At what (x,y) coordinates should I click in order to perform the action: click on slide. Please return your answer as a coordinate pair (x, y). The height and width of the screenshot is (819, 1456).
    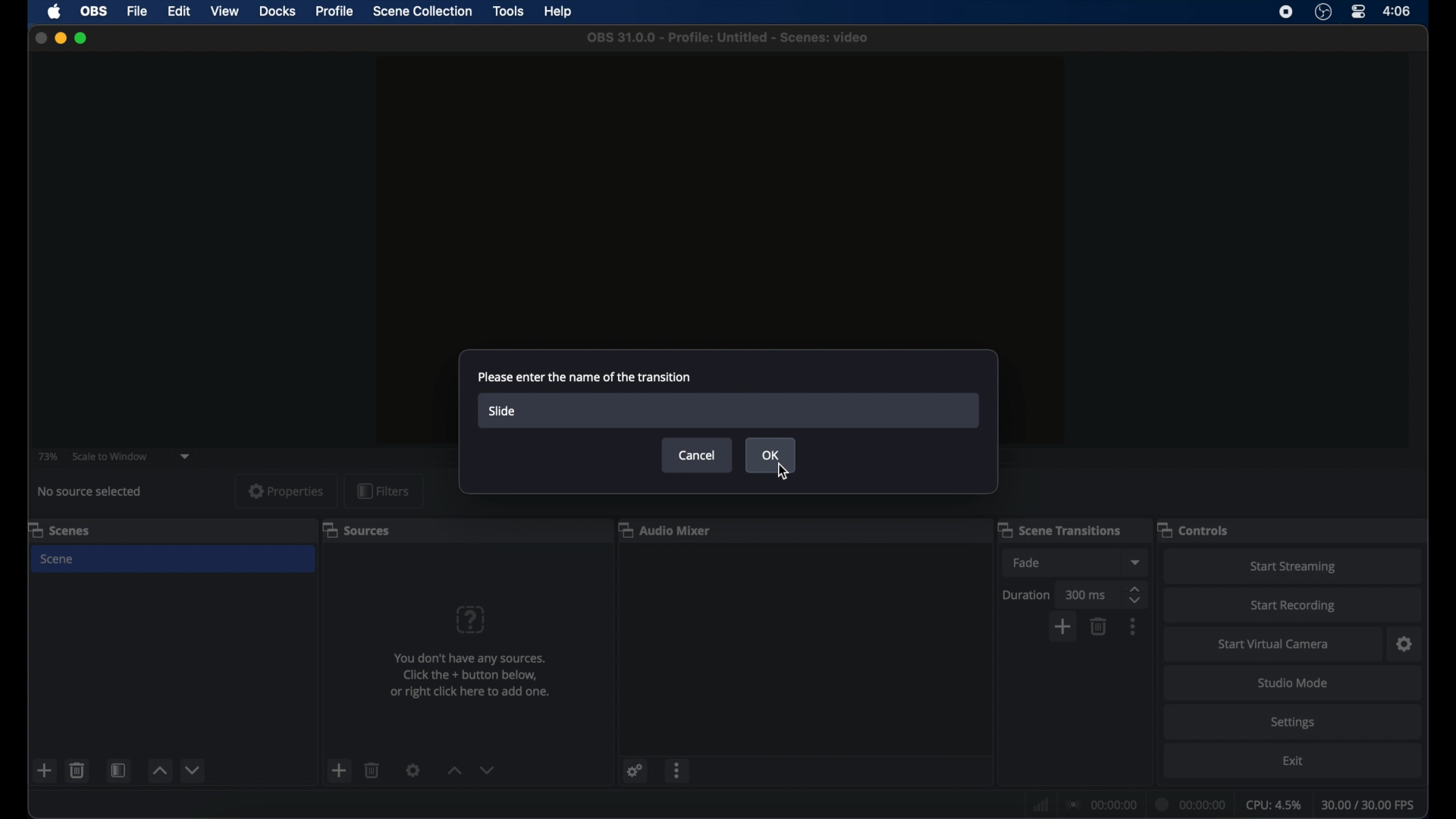
    Looking at the image, I should click on (504, 413).